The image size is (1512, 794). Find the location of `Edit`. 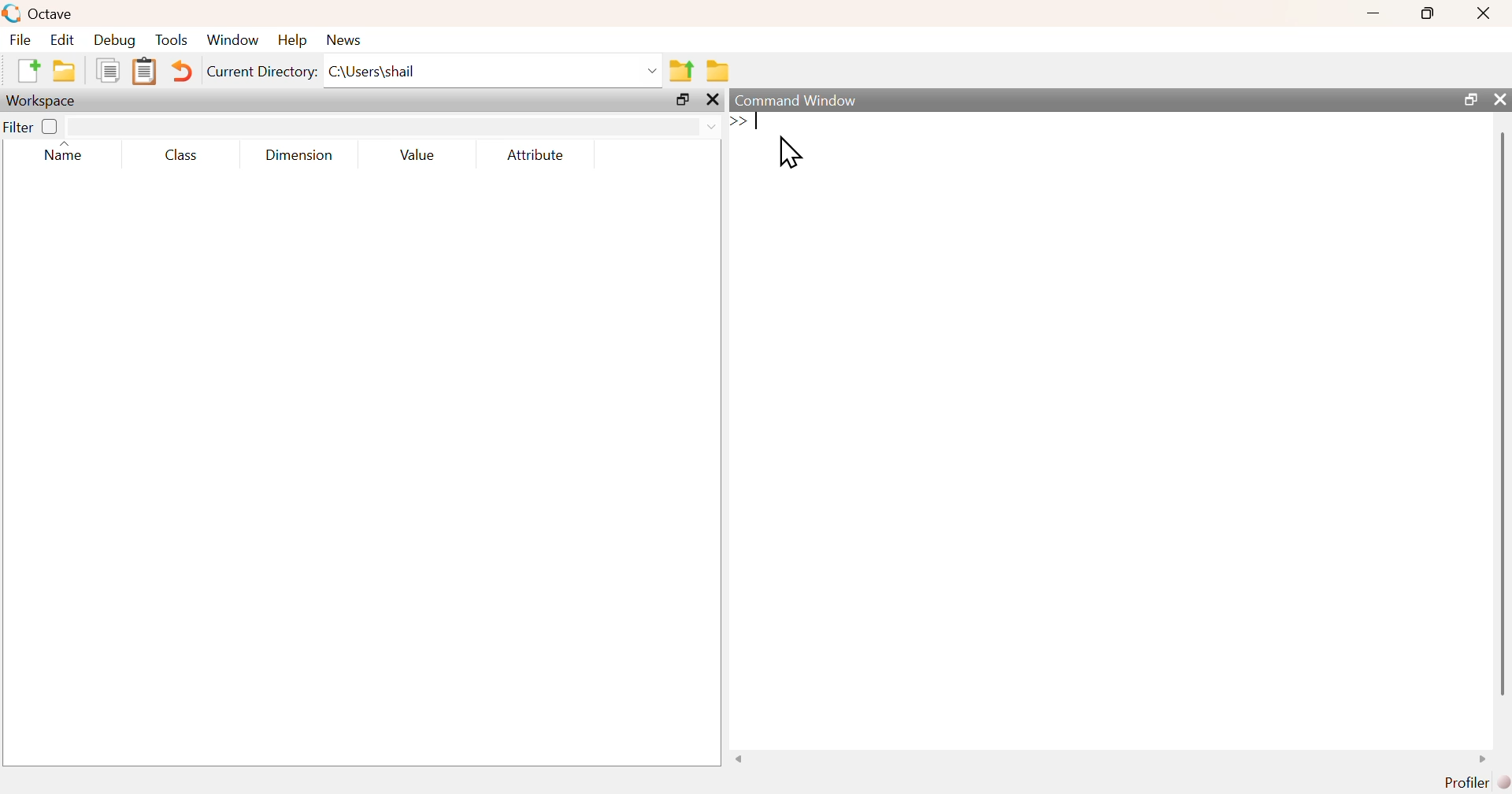

Edit is located at coordinates (61, 39).